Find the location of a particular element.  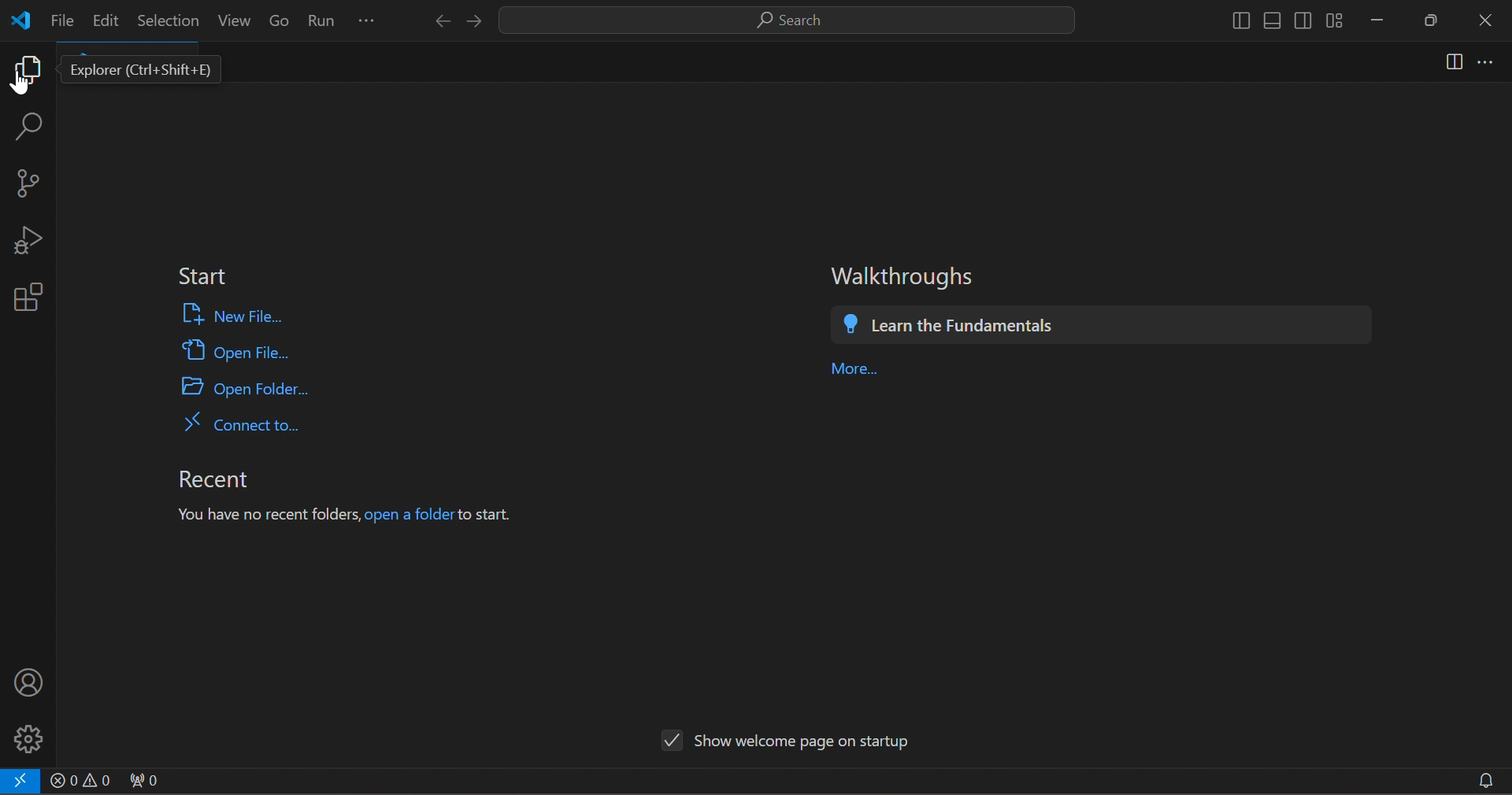

walkthroughs is located at coordinates (902, 275).